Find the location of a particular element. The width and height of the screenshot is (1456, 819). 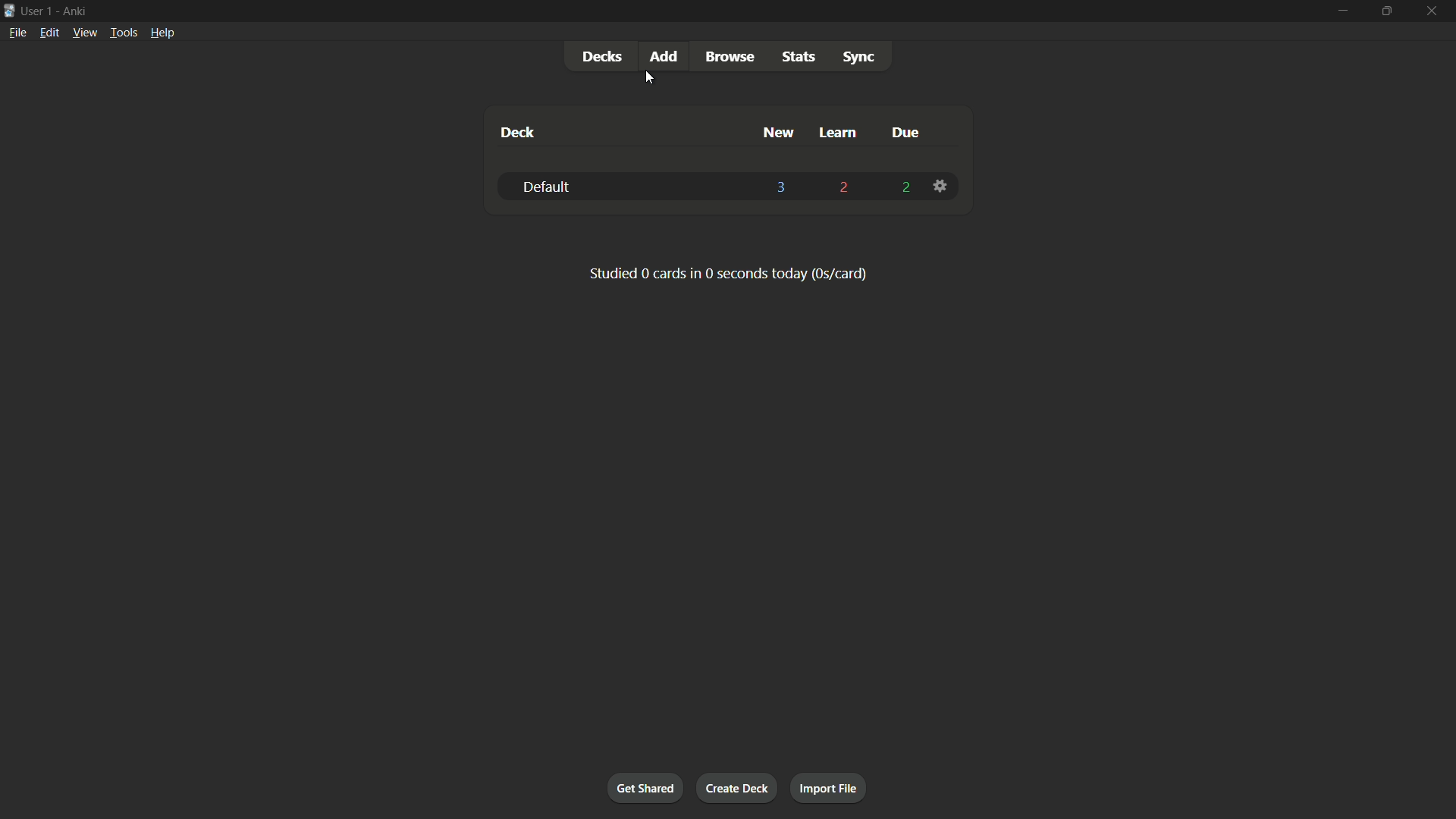

settings is located at coordinates (943, 187).